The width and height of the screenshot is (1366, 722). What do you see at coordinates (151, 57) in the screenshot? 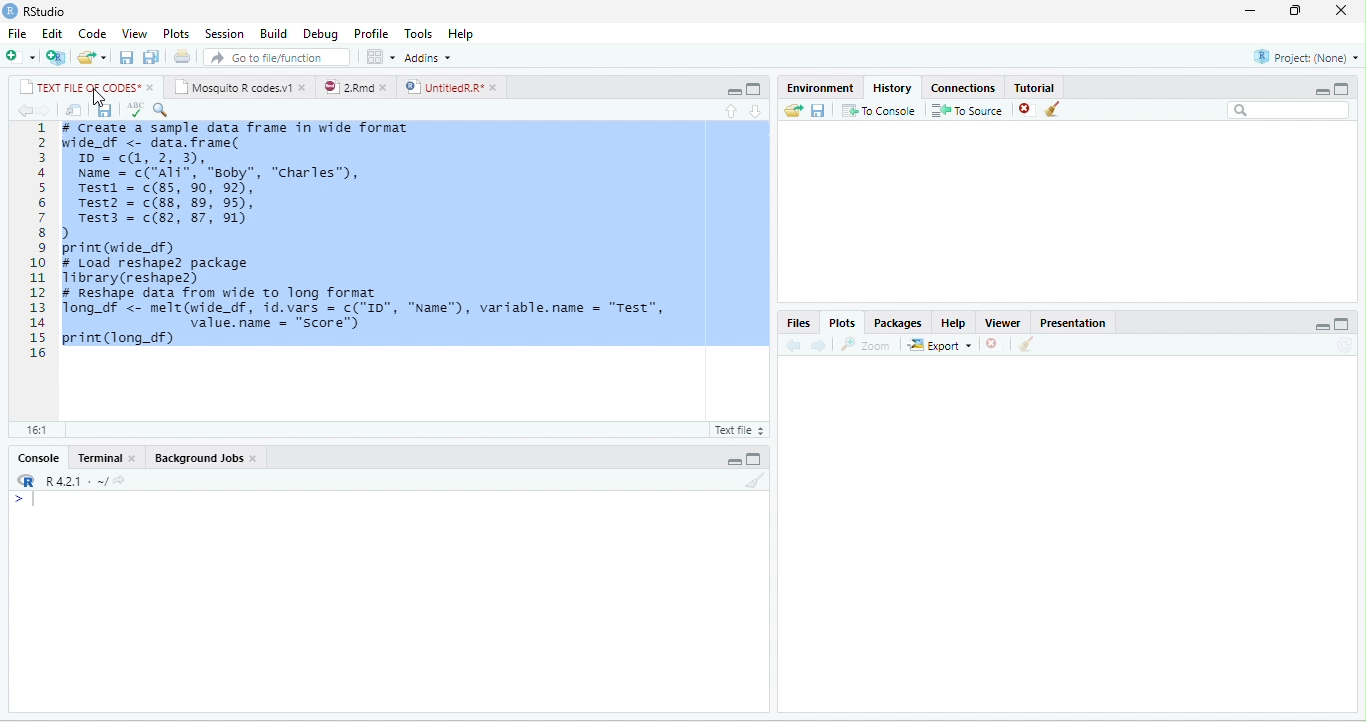
I see `save all` at bounding box center [151, 57].